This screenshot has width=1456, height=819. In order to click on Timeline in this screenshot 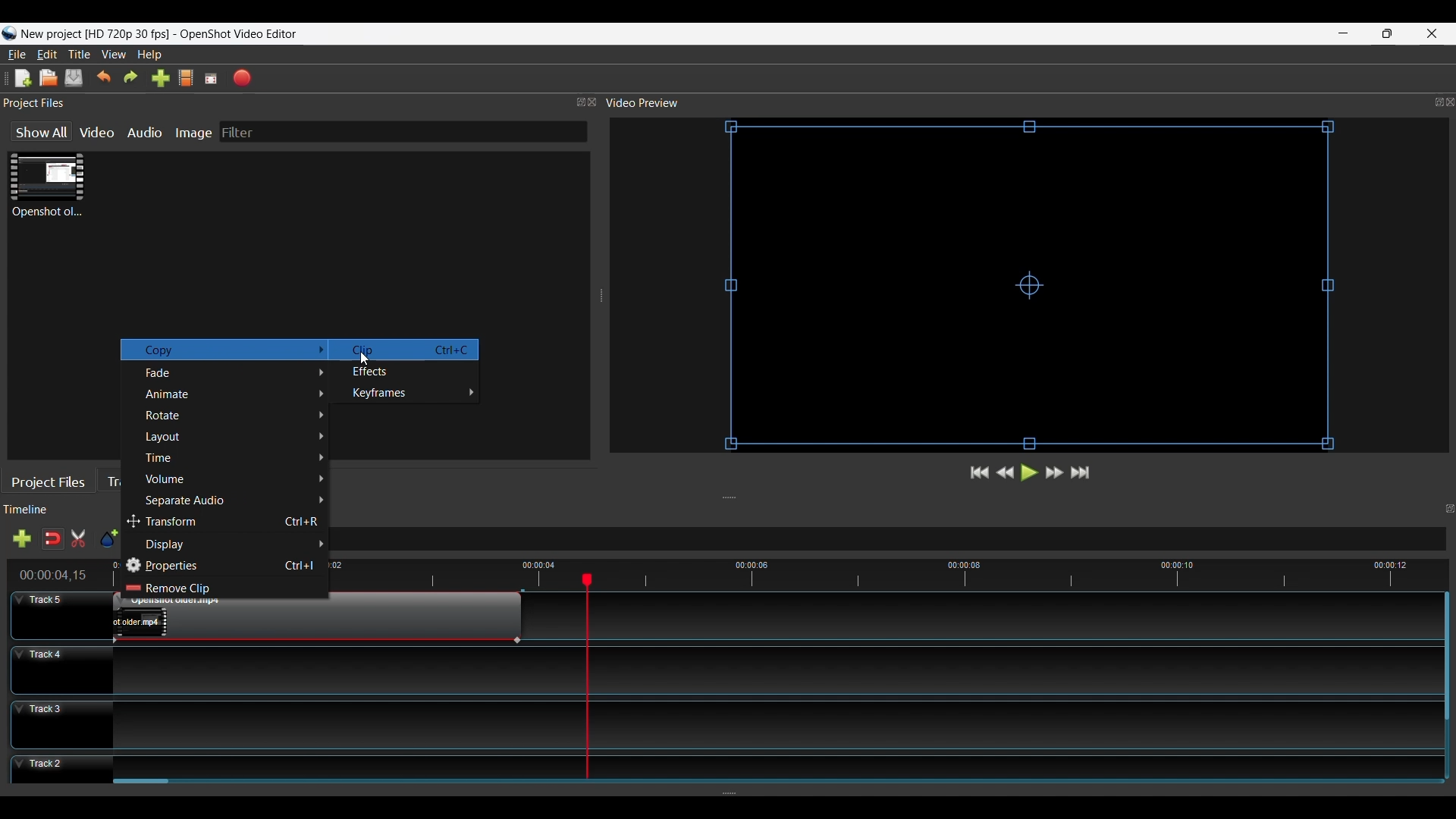, I will do `click(46, 510)`.